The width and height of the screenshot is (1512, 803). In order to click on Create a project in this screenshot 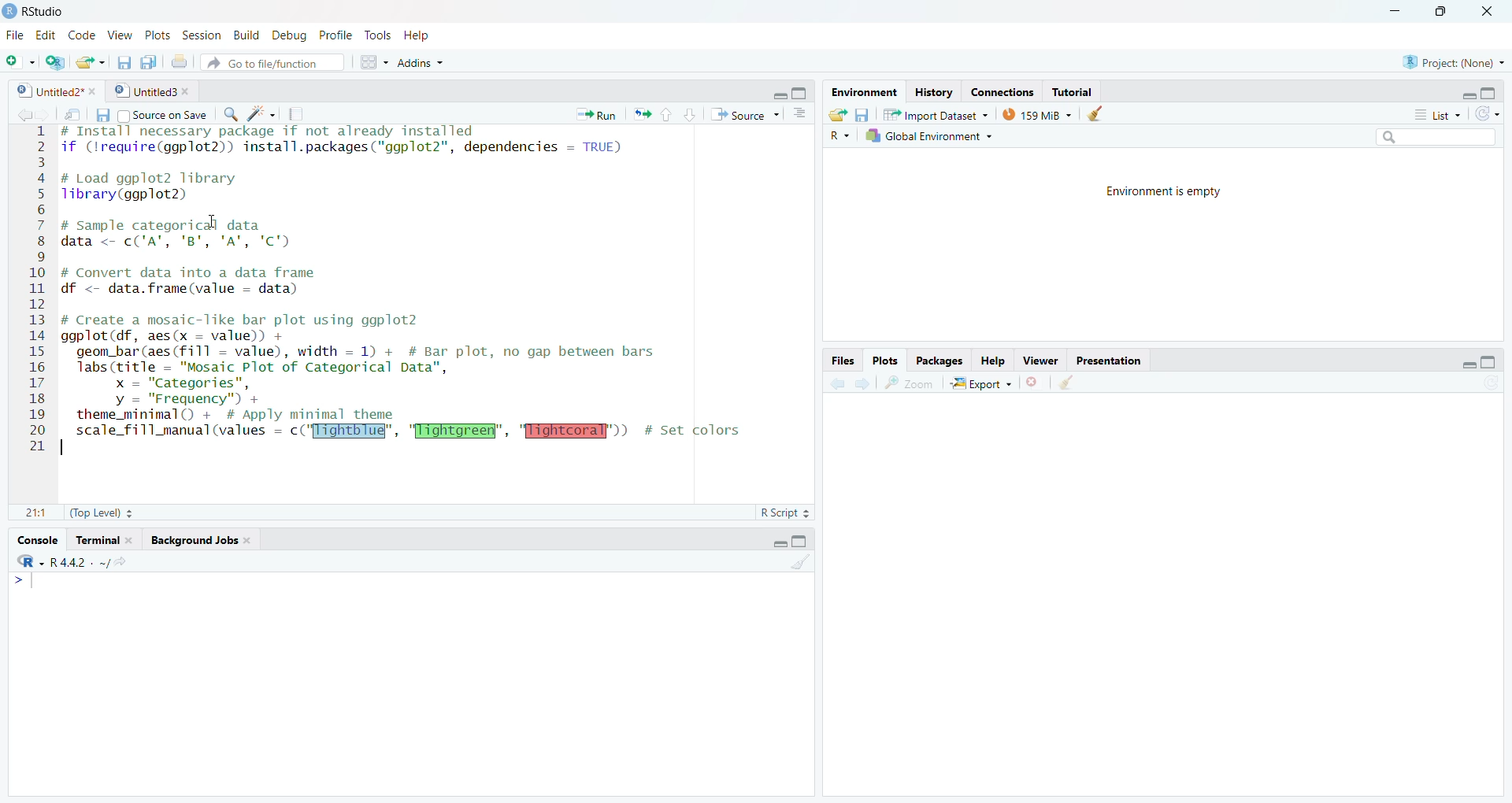, I will do `click(55, 62)`.